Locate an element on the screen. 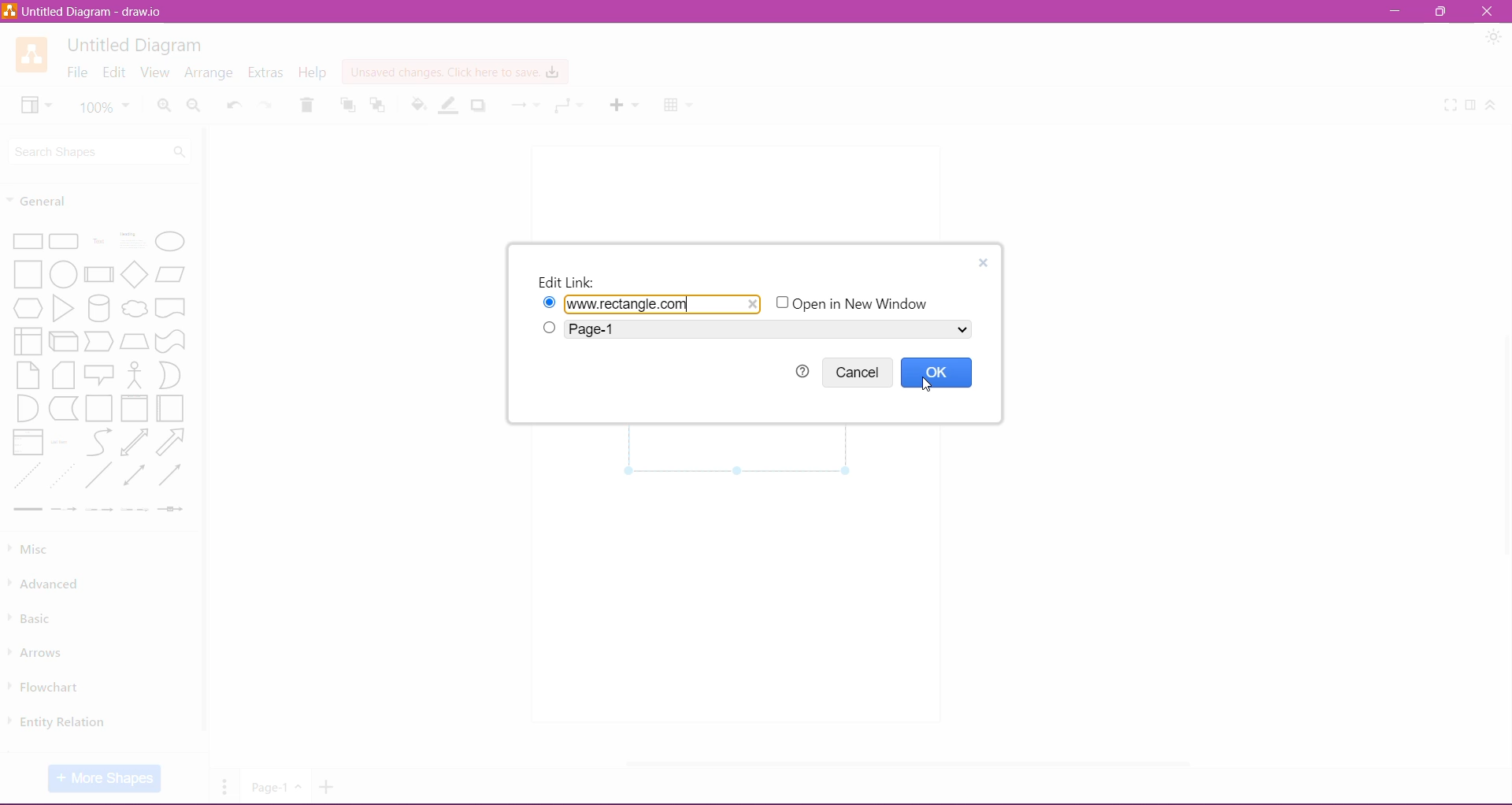  Available shapes under Genera category is located at coordinates (98, 372).